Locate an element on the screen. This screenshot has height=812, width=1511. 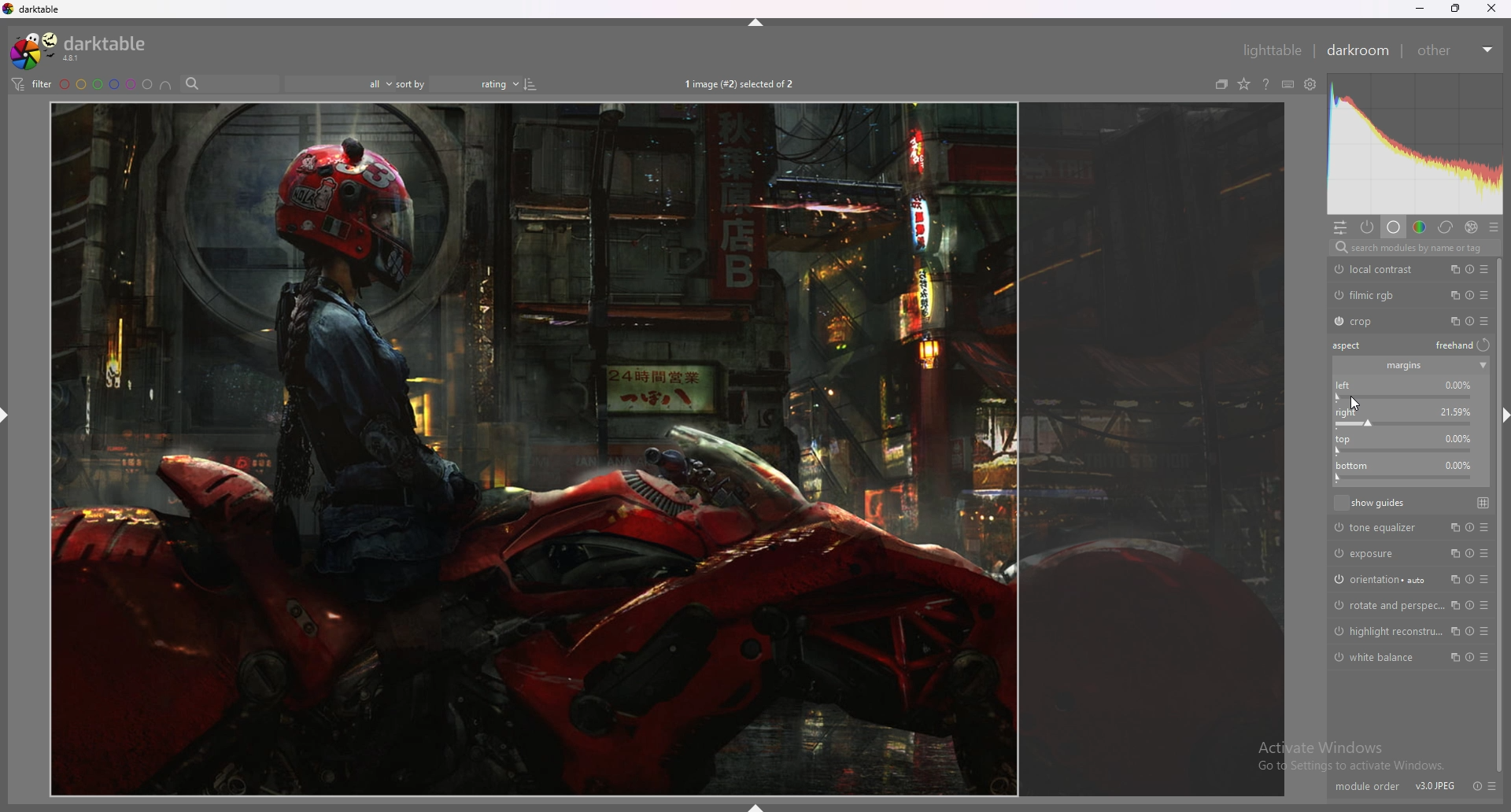
heat map is located at coordinates (1414, 143).